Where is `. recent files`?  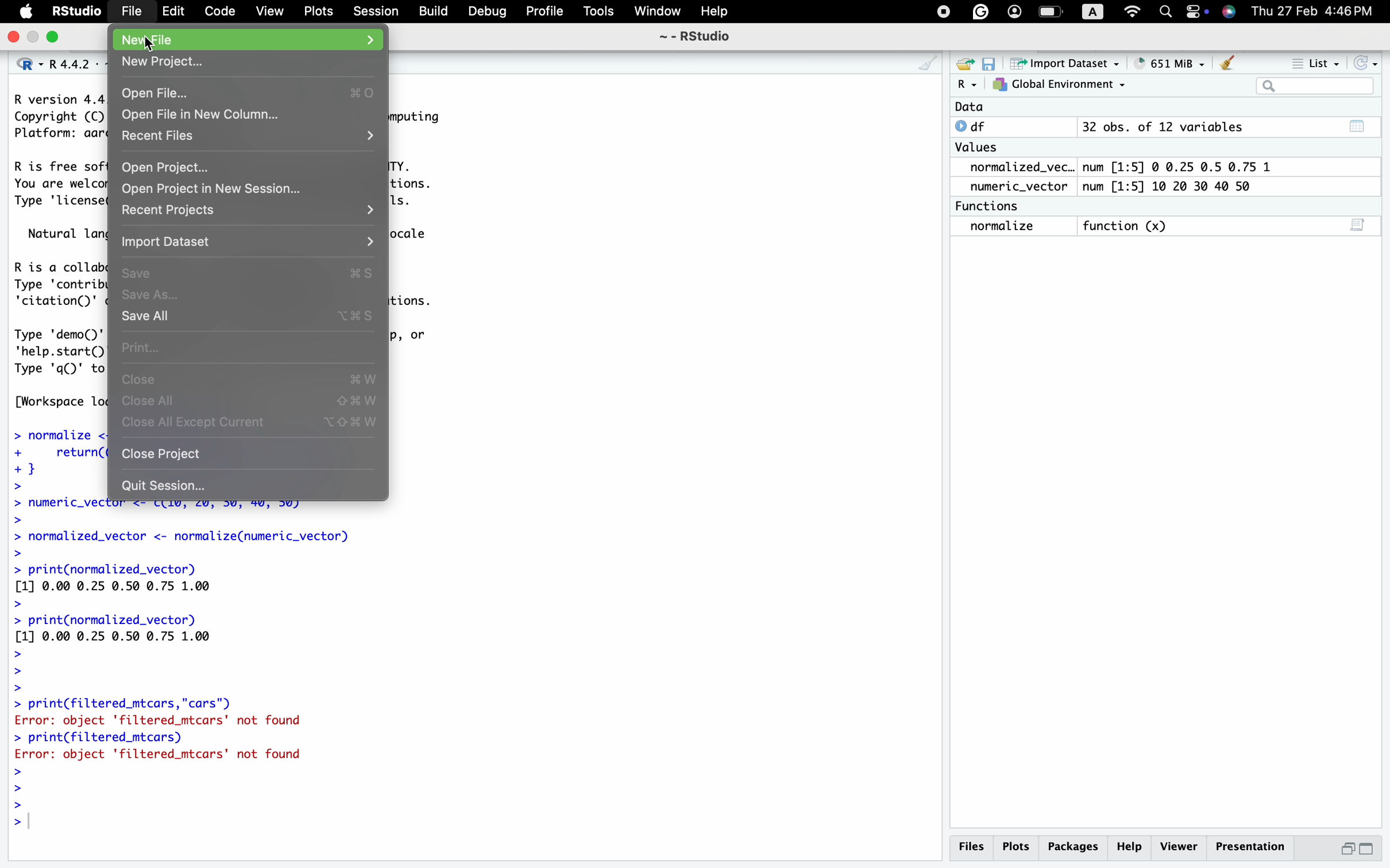
. recent files is located at coordinates (248, 139).